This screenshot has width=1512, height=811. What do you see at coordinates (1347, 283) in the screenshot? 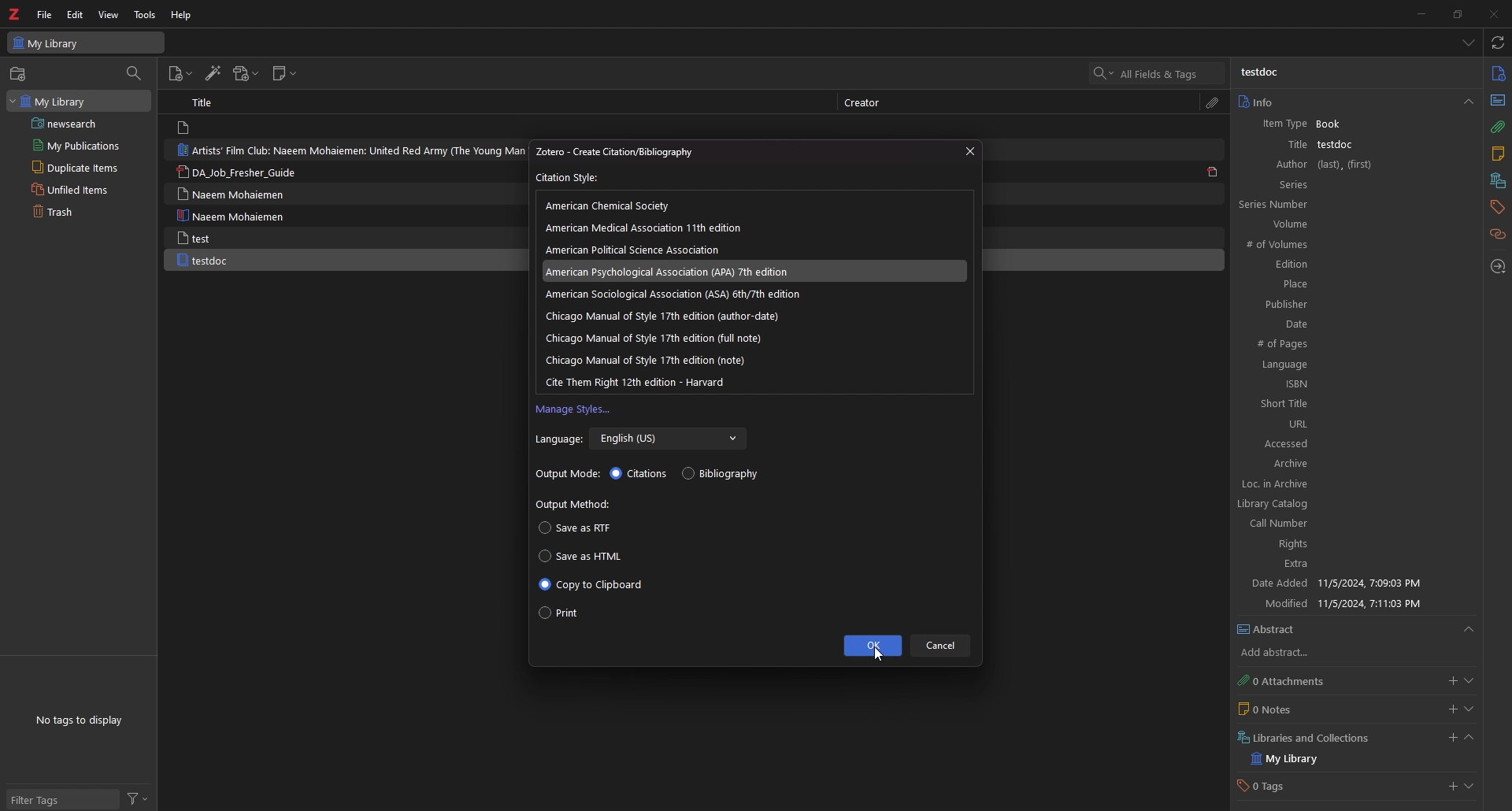
I see `Place` at bounding box center [1347, 283].